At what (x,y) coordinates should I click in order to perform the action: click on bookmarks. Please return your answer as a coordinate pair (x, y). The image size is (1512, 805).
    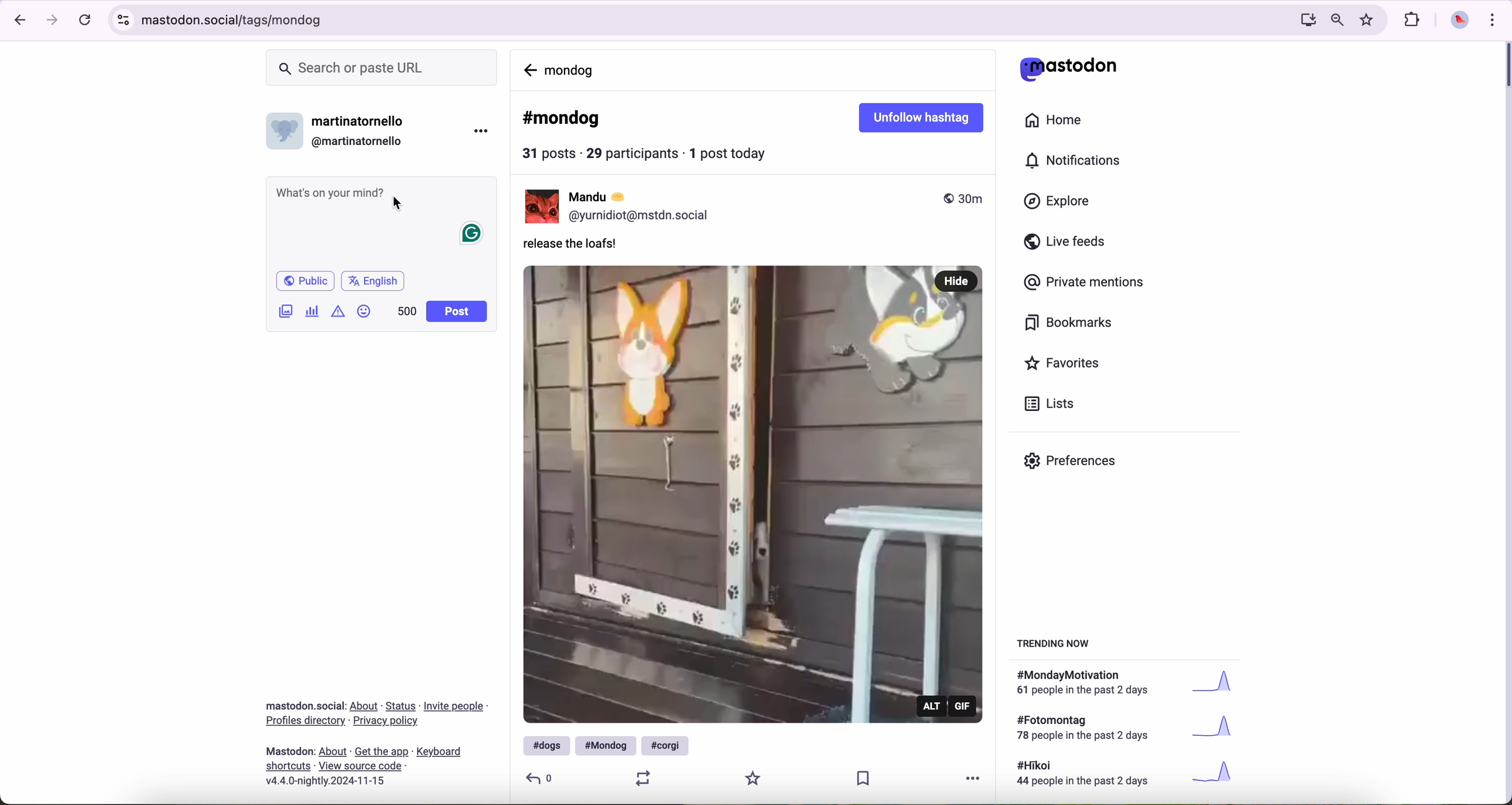
    Looking at the image, I should click on (1069, 323).